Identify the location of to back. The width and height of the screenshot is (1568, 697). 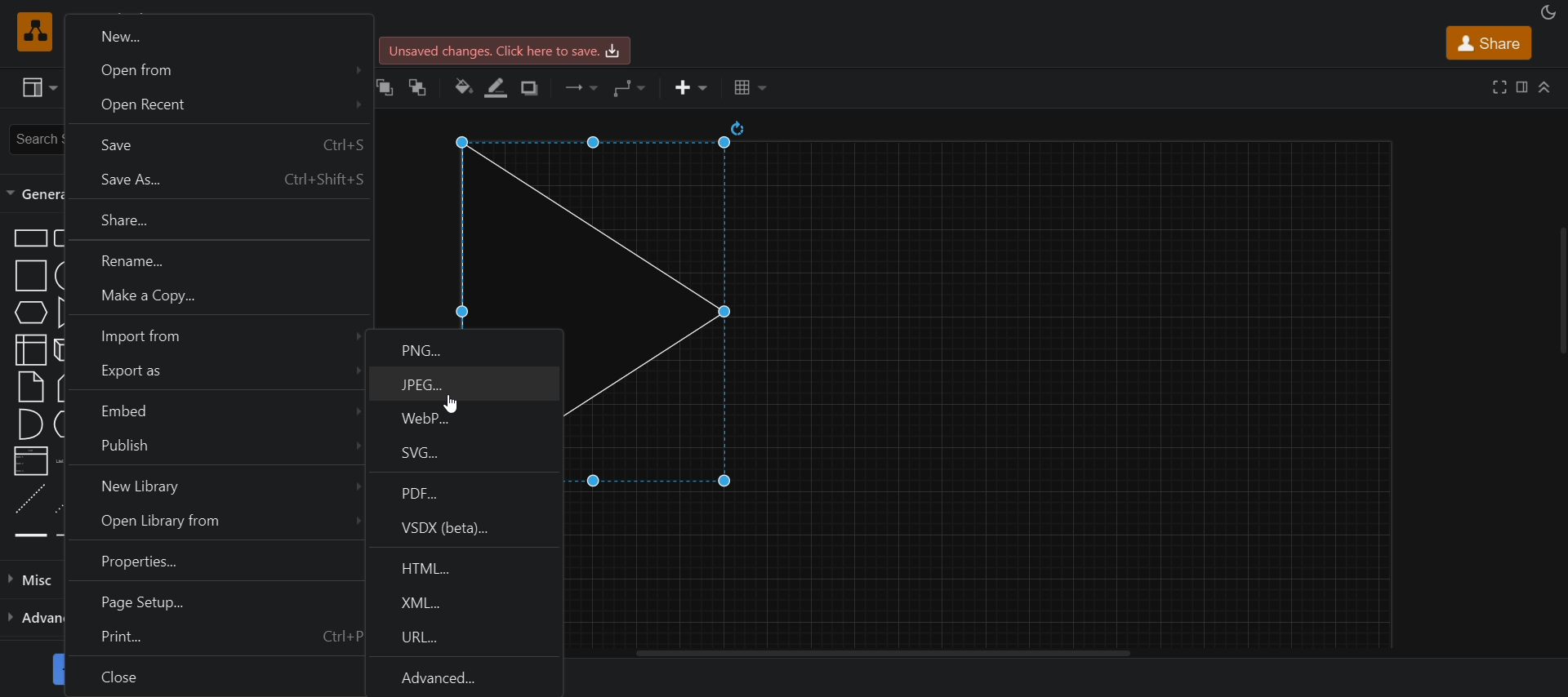
(420, 87).